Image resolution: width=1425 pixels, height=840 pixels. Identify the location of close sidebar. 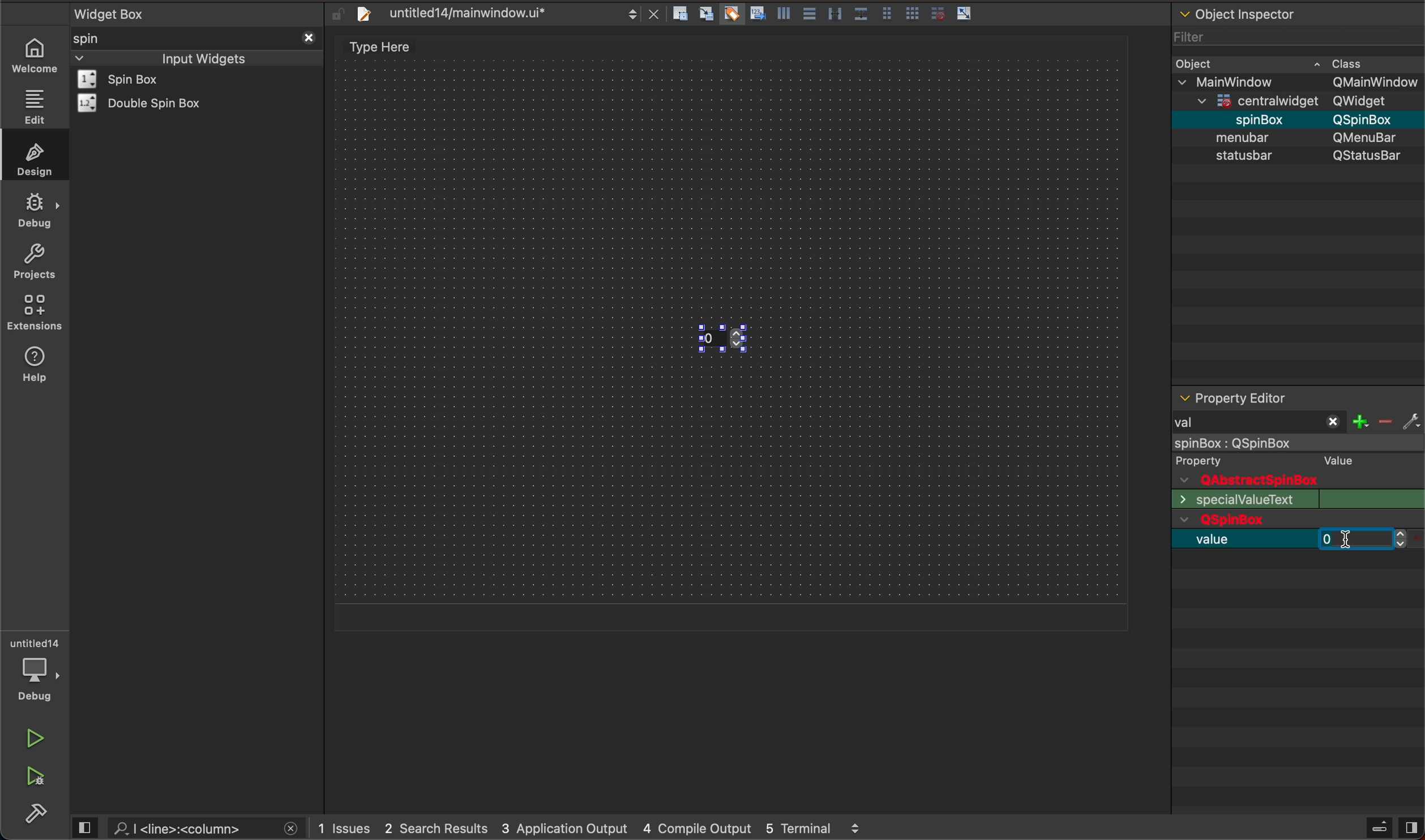
(1392, 828).